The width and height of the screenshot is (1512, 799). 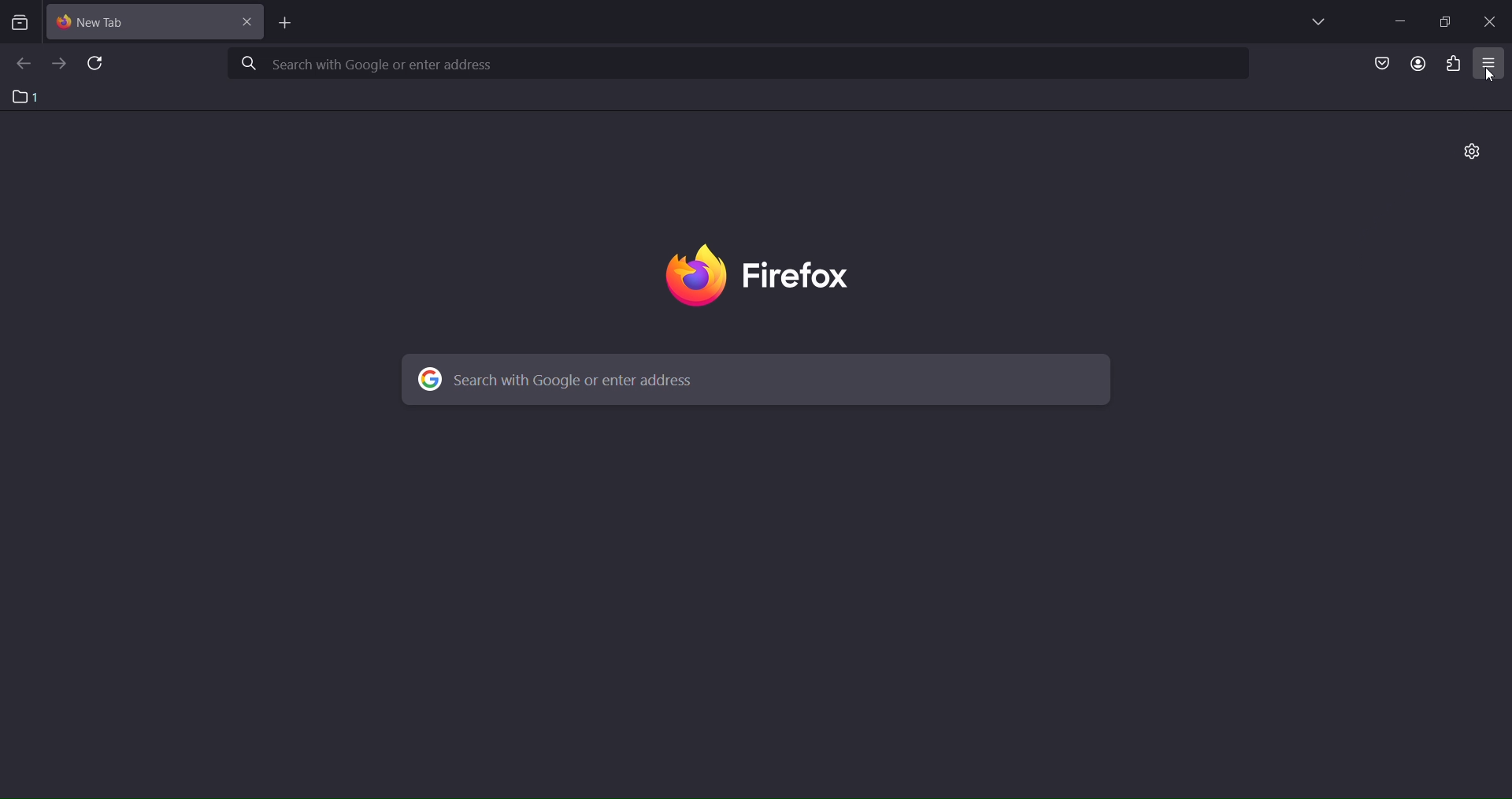 I want to click on go back one page, so click(x=21, y=65).